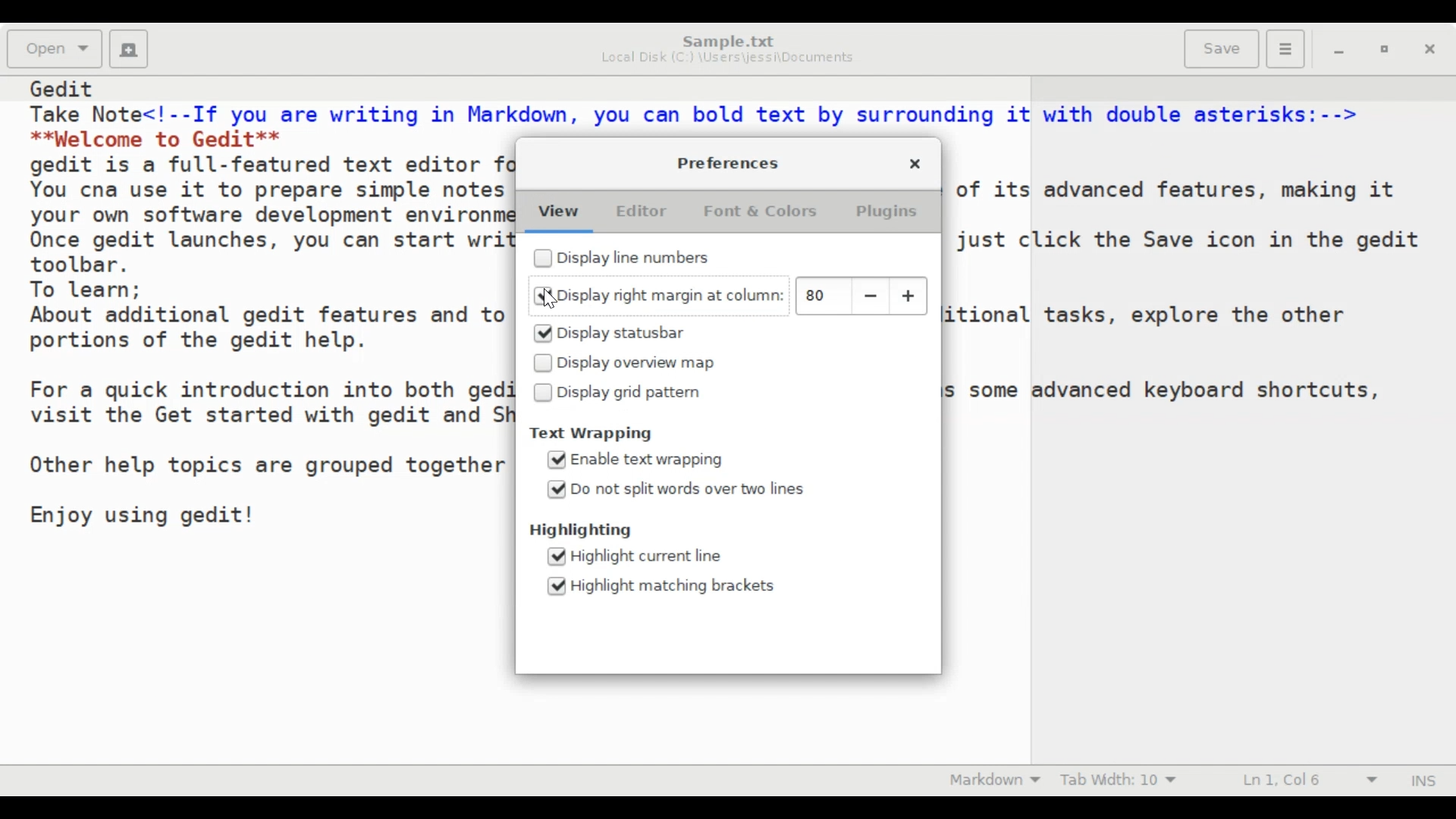 The image size is (1456, 819). Describe the element at coordinates (821, 296) in the screenshot. I see `80` at that location.